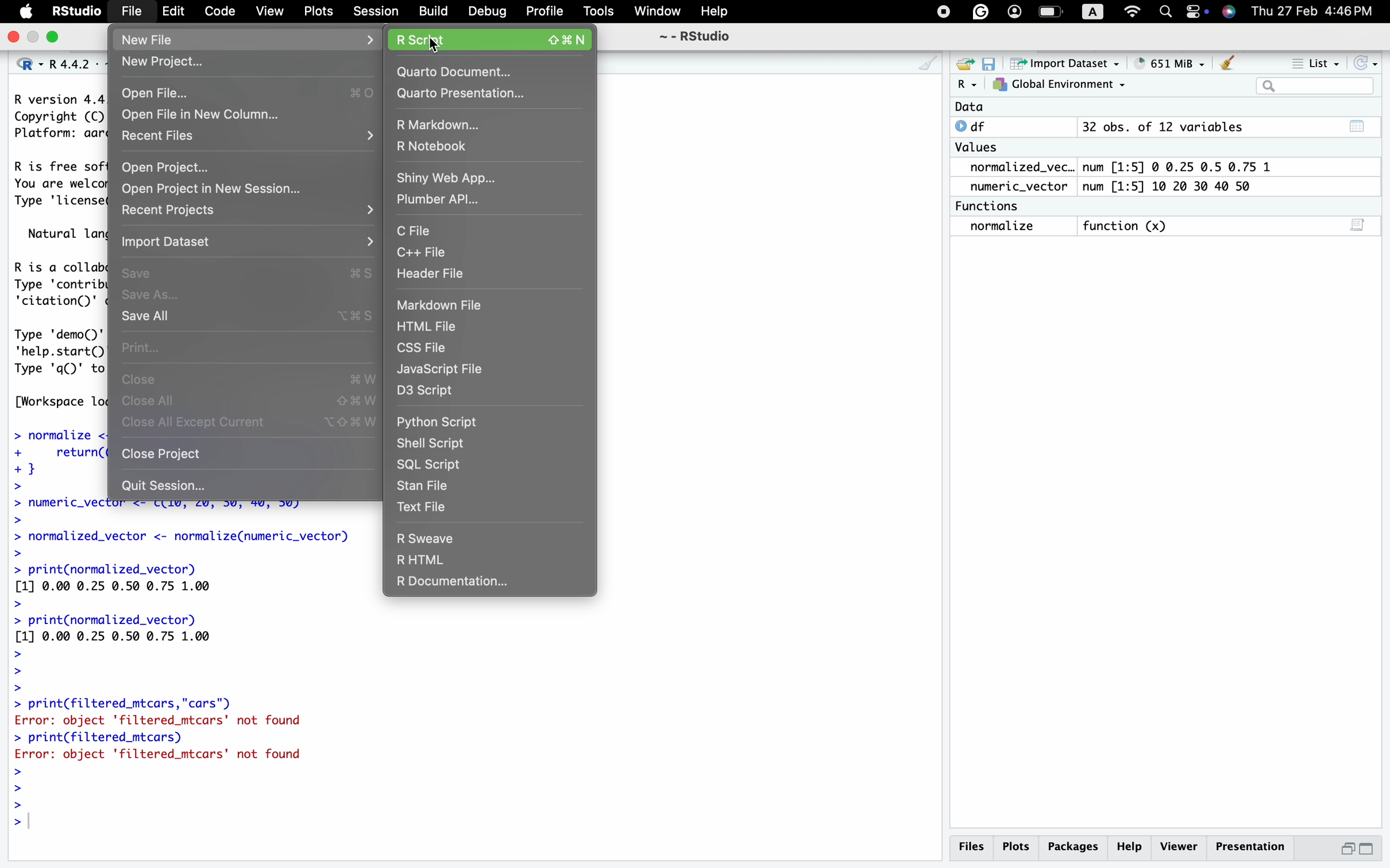  What do you see at coordinates (1316, 86) in the screenshot?
I see `la ||` at bounding box center [1316, 86].